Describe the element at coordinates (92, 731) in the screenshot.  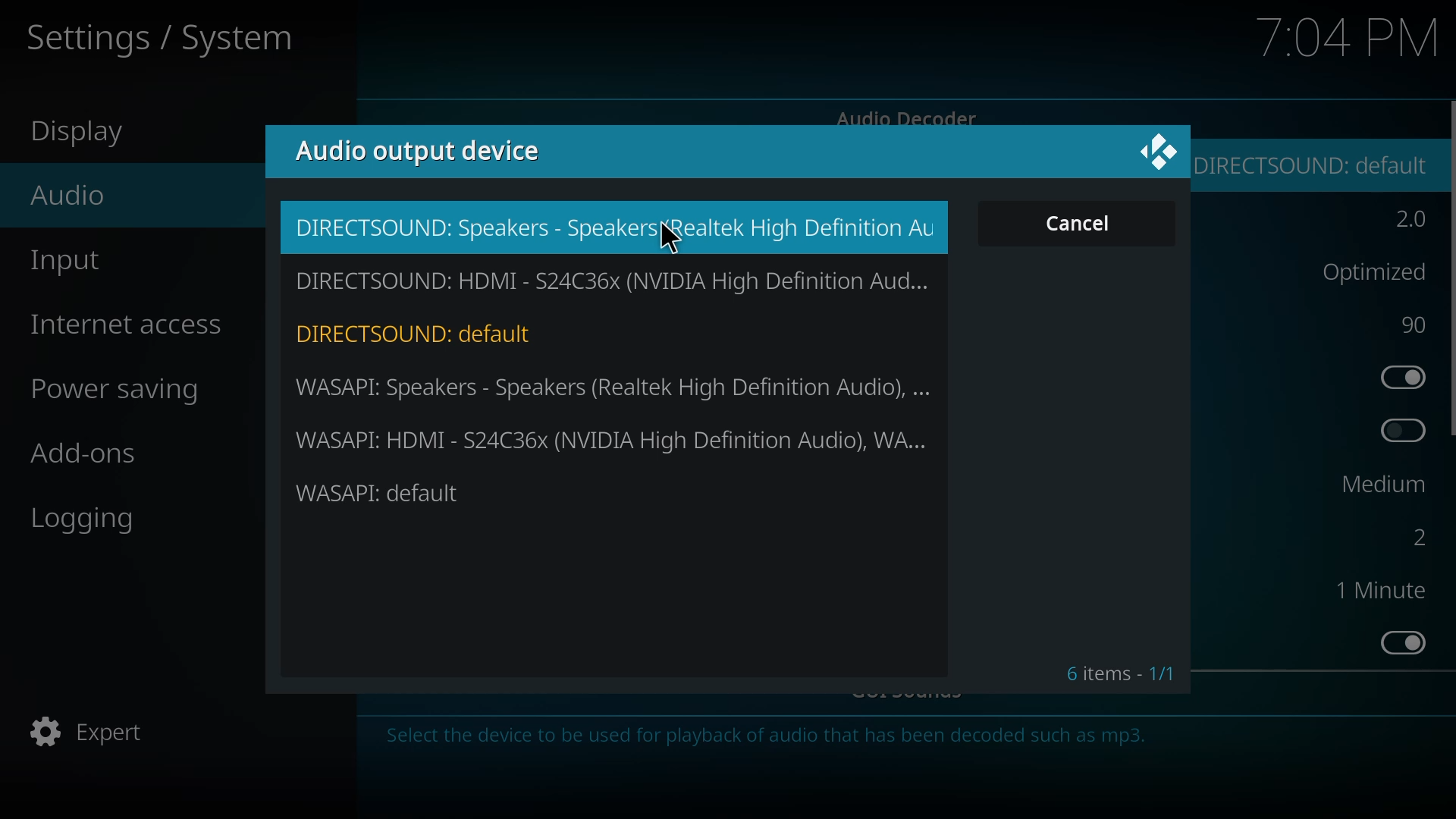
I see `expert` at that location.